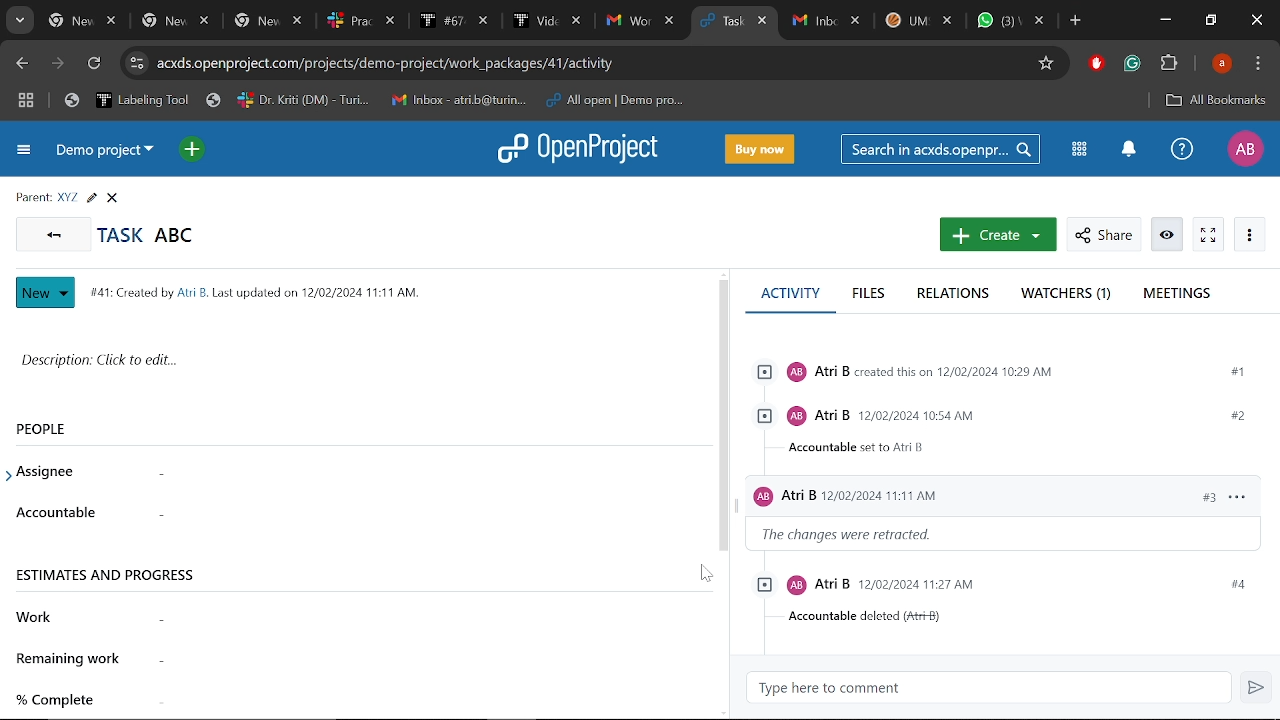  I want to click on Activity, so click(790, 301).